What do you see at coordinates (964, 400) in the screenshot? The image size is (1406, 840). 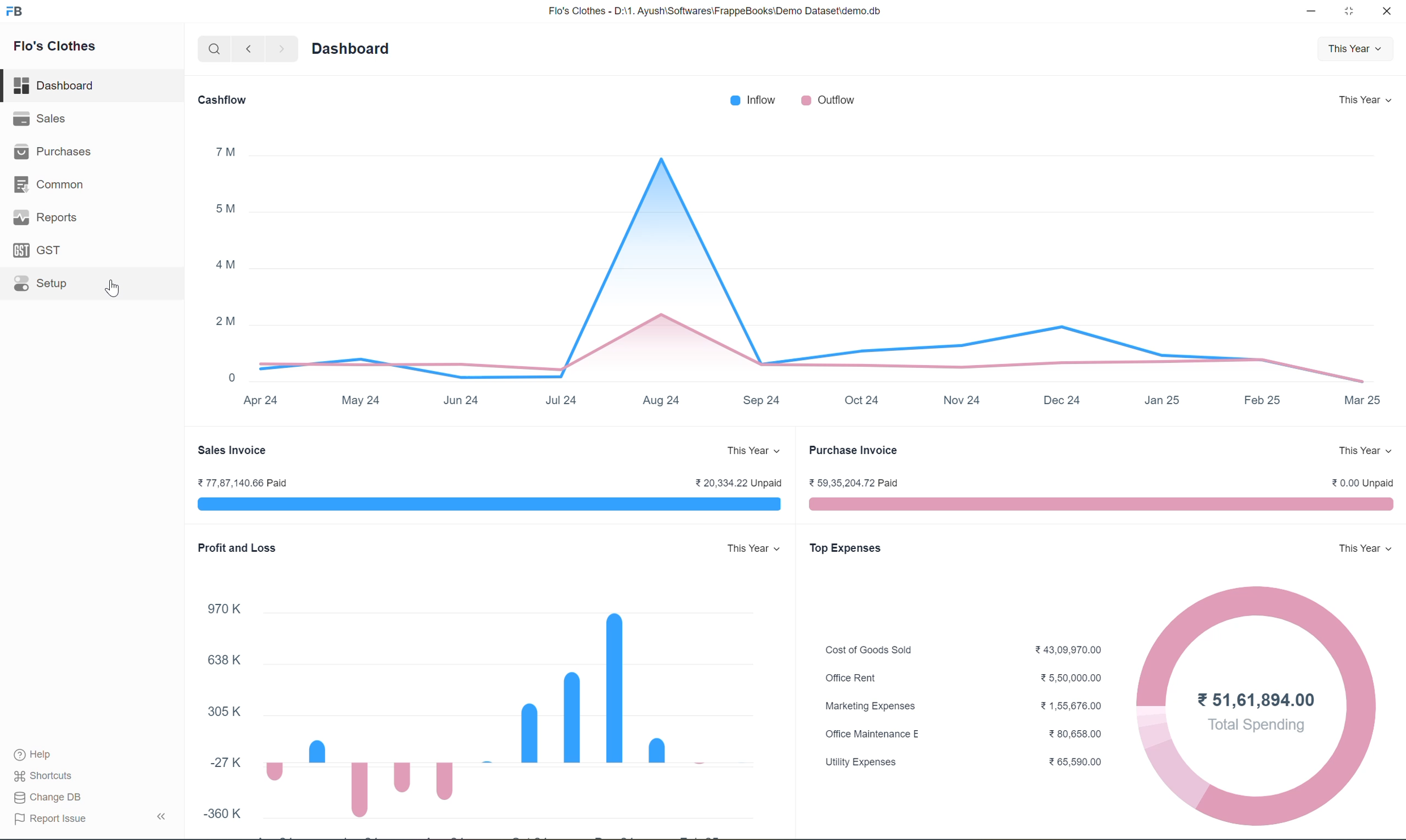 I see `Nov 24` at bounding box center [964, 400].